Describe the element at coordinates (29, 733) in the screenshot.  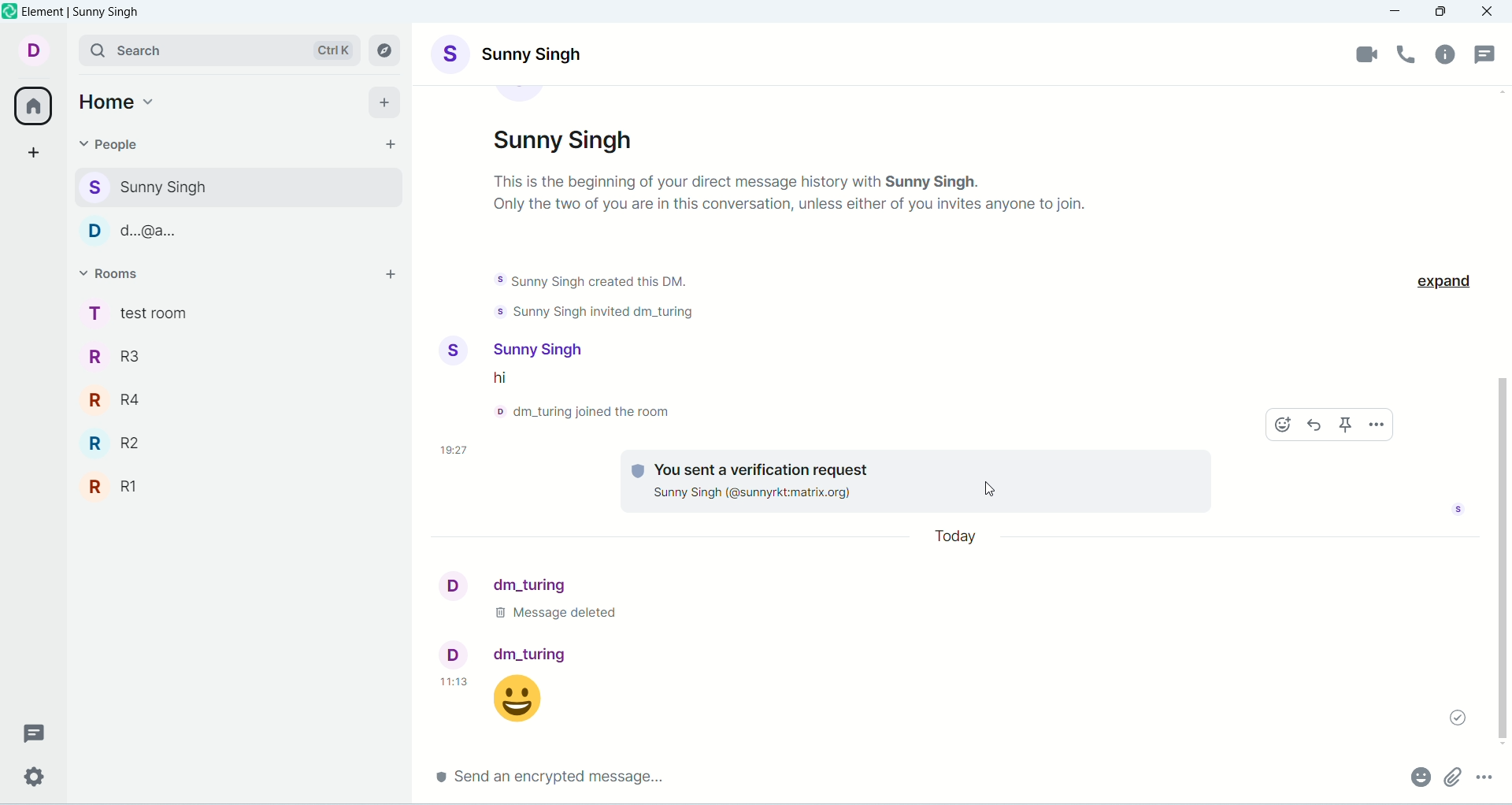
I see `threads` at that location.